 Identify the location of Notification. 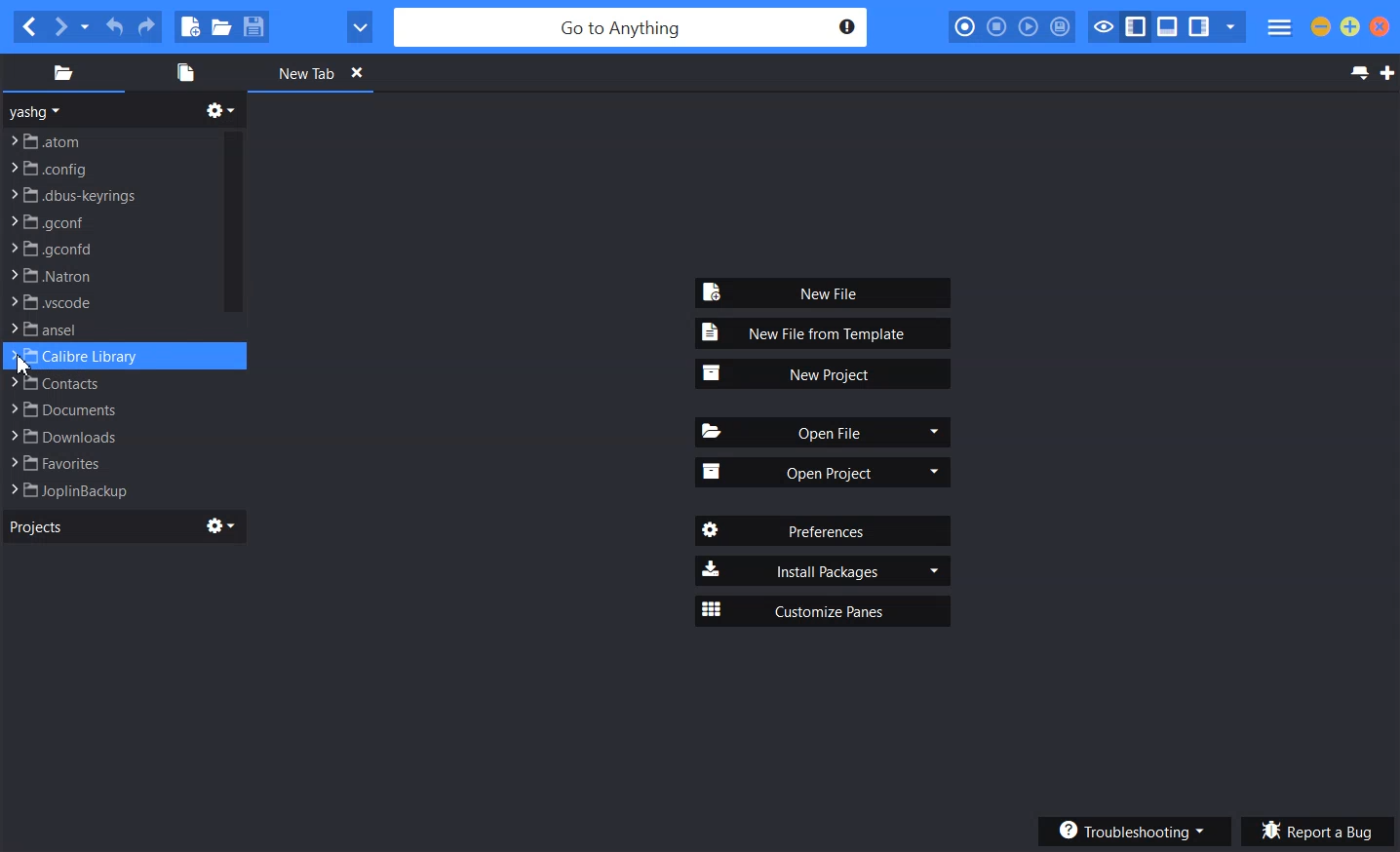
(846, 26).